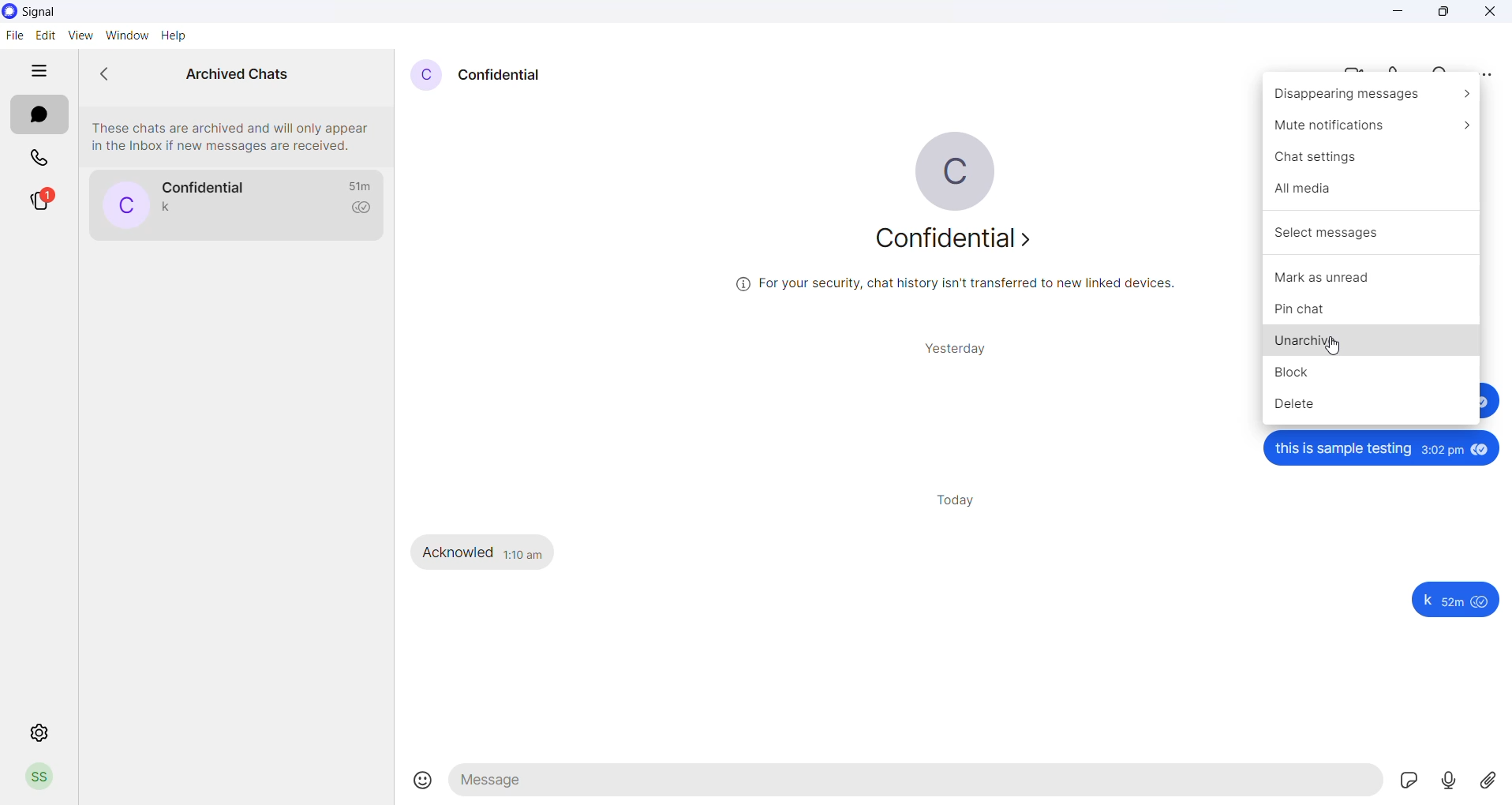 Image resolution: width=1512 pixels, height=805 pixels. What do you see at coordinates (526, 554) in the screenshot?
I see `1:10 am` at bounding box center [526, 554].